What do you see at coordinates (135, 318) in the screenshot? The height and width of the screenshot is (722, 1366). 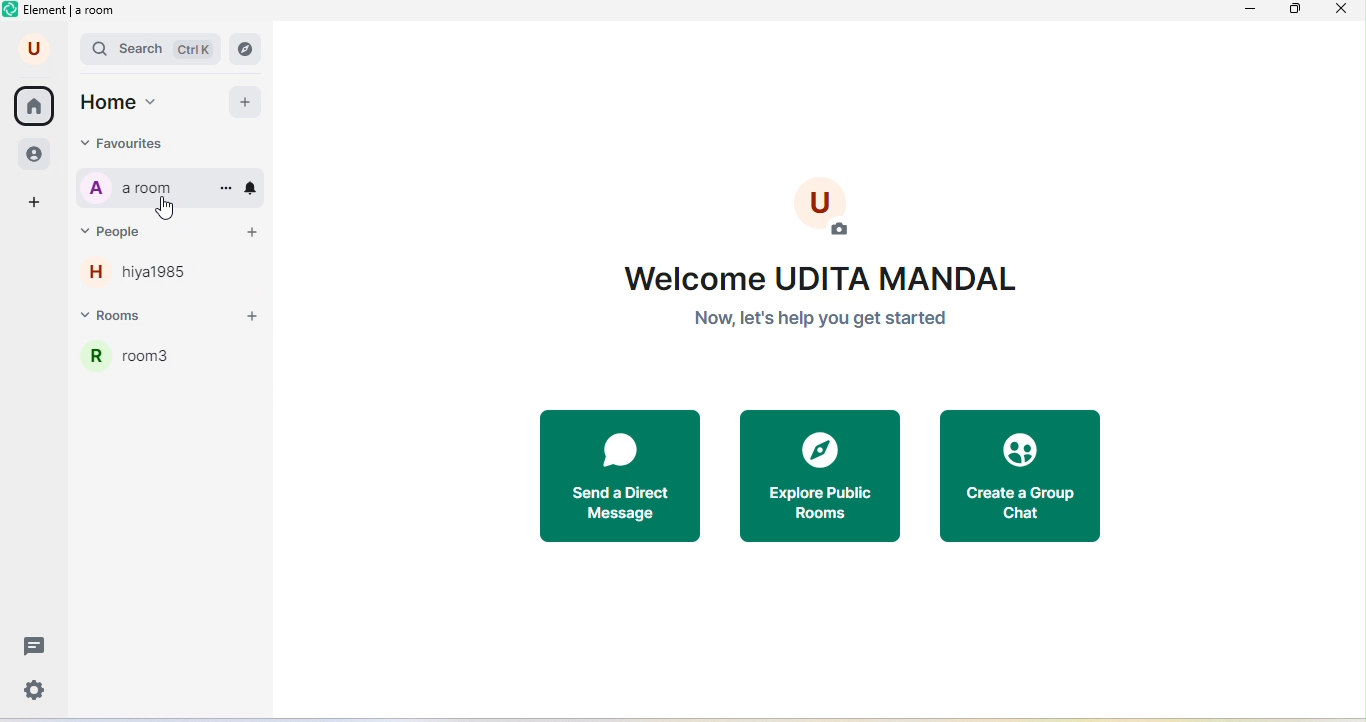 I see `rooms` at bounding box center [135, 318].